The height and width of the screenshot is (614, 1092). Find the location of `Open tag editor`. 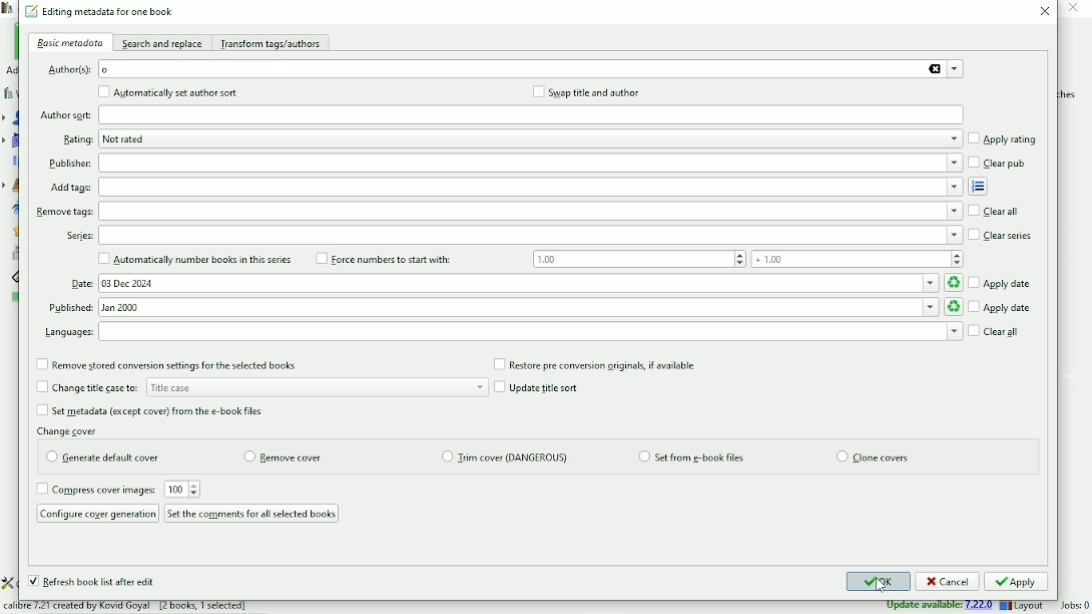

Open tag editor is located at coordinates (980, 186).